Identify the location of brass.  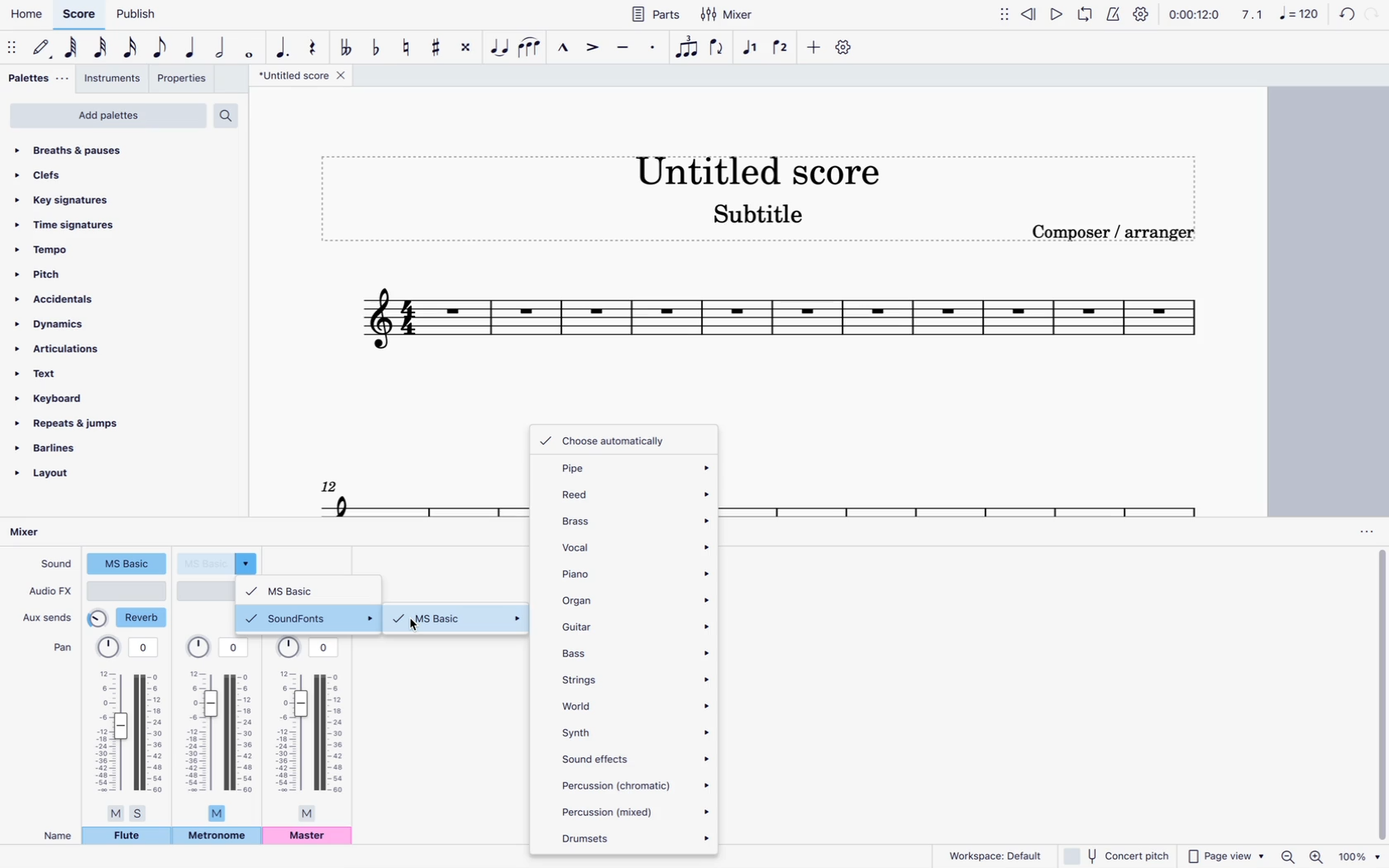
(633, 518).